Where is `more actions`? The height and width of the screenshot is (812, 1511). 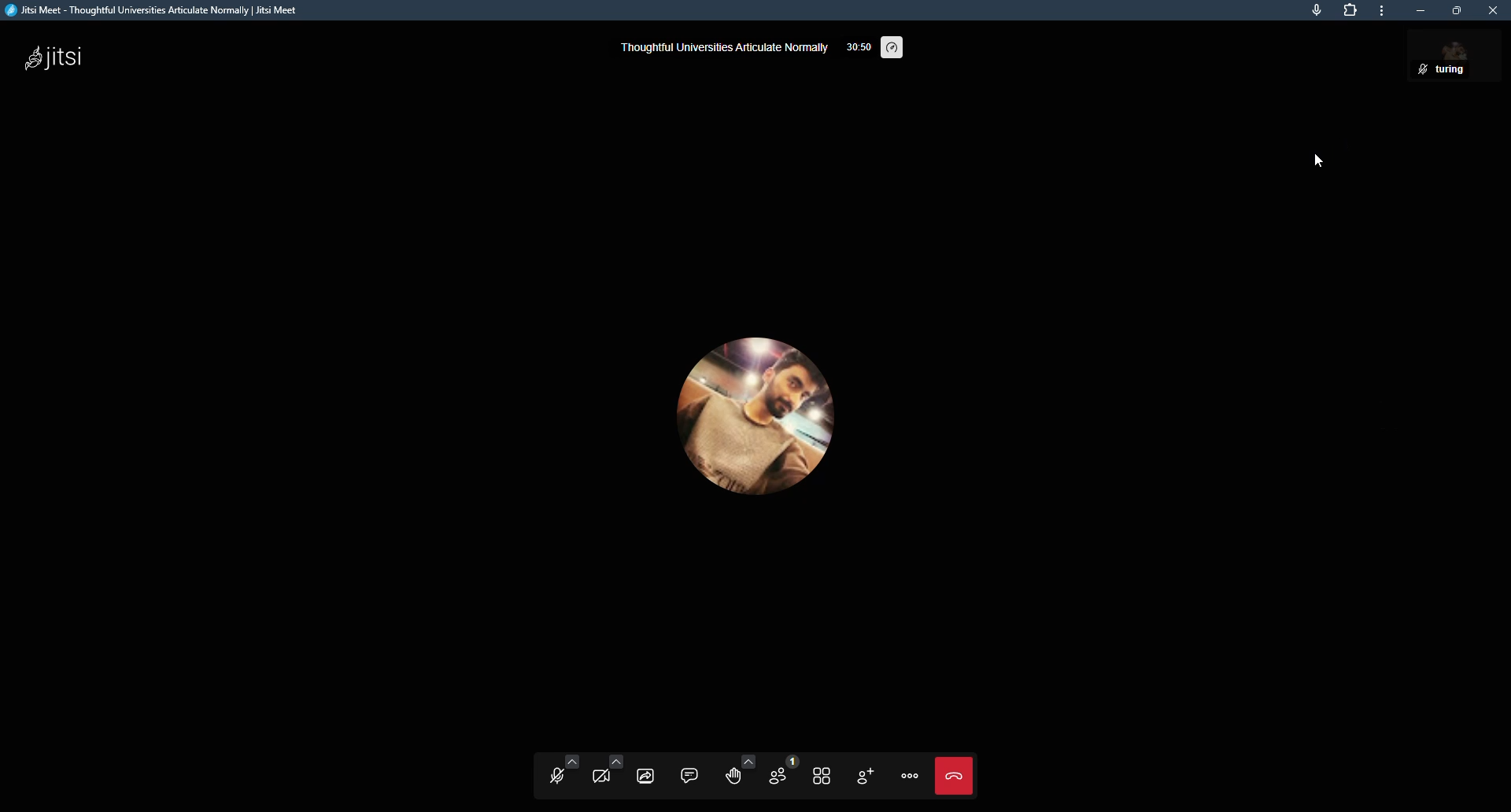
more actions is located at coordinates (912, 776).